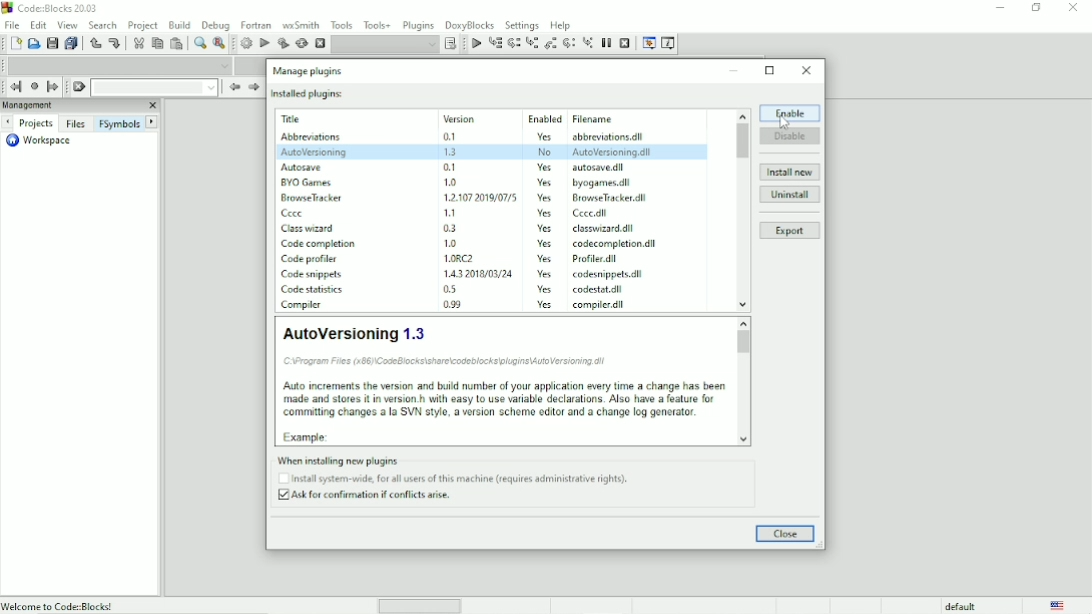 This screenshot has height=614, width=1092. I want to click on Run, so click(265, 44).